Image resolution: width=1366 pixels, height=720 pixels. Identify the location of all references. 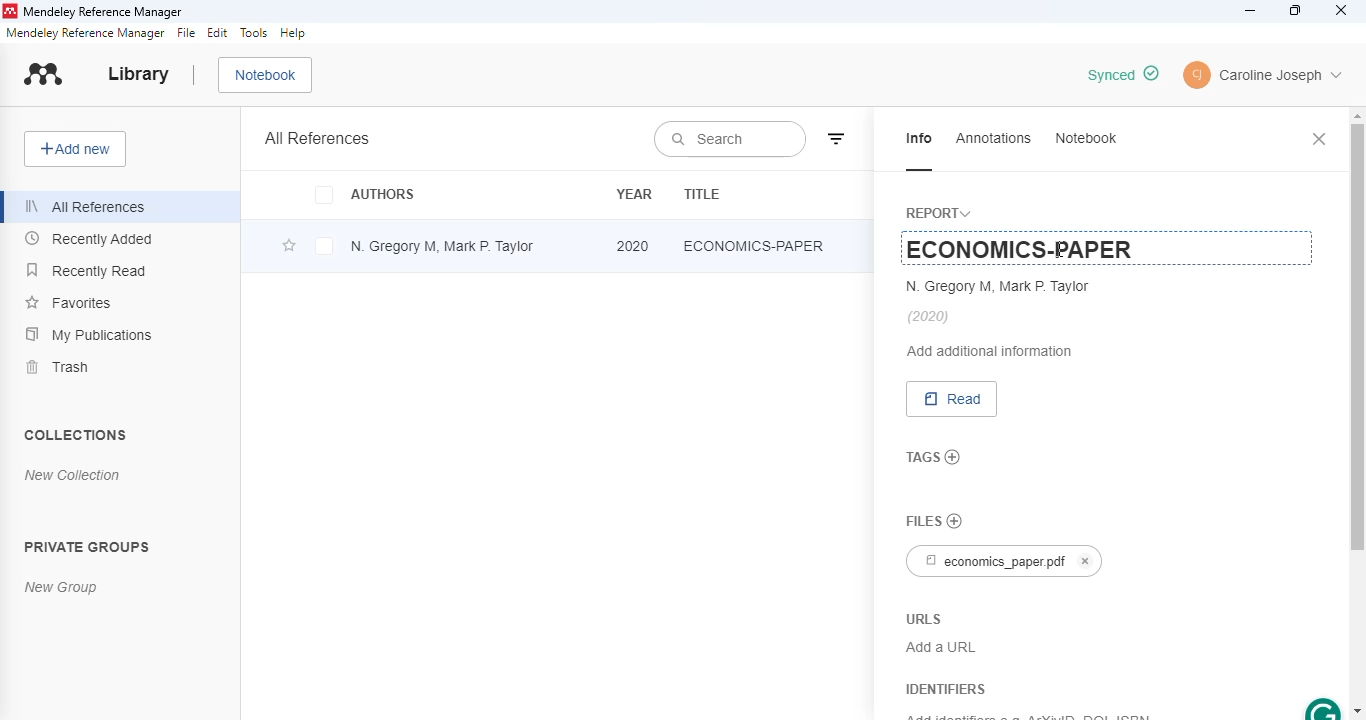
(317, 137).